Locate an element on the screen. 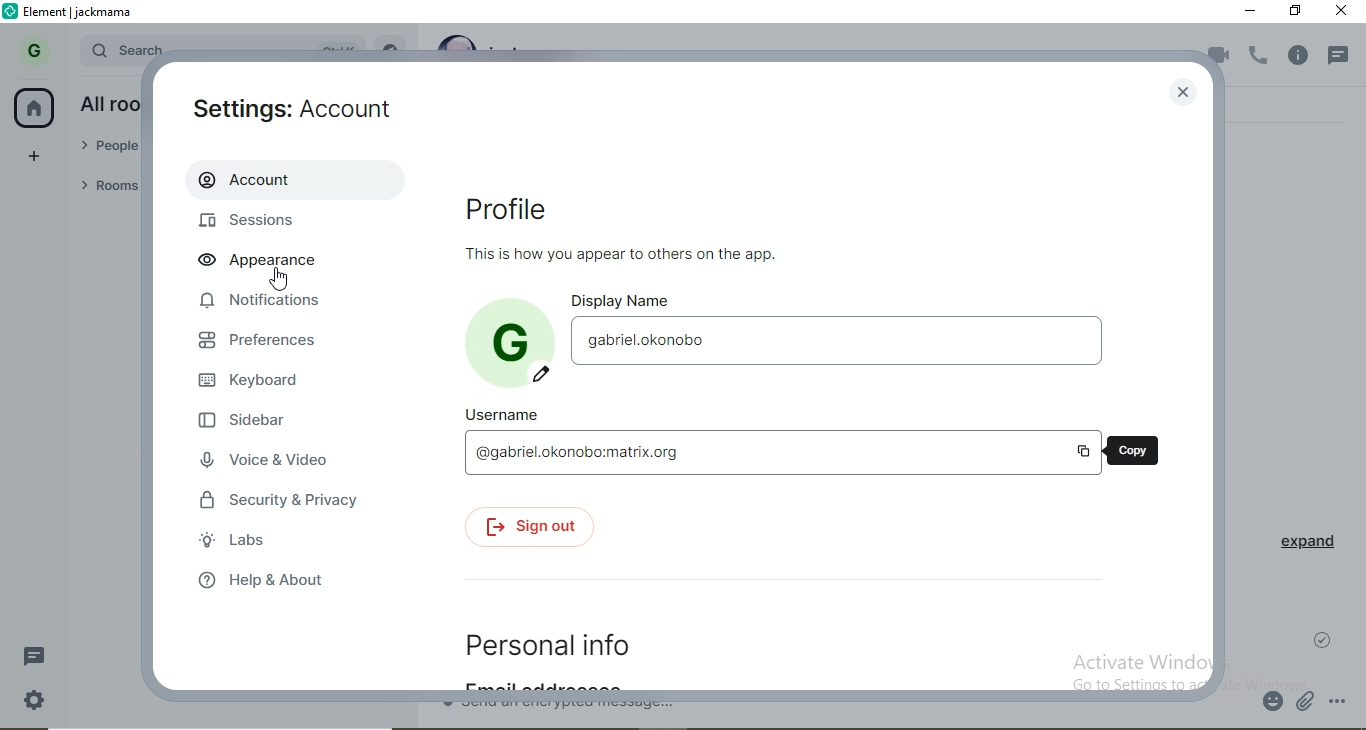 The width and height of the screenshot is (1366, 730). search bar is located at coordinates (125, 47).